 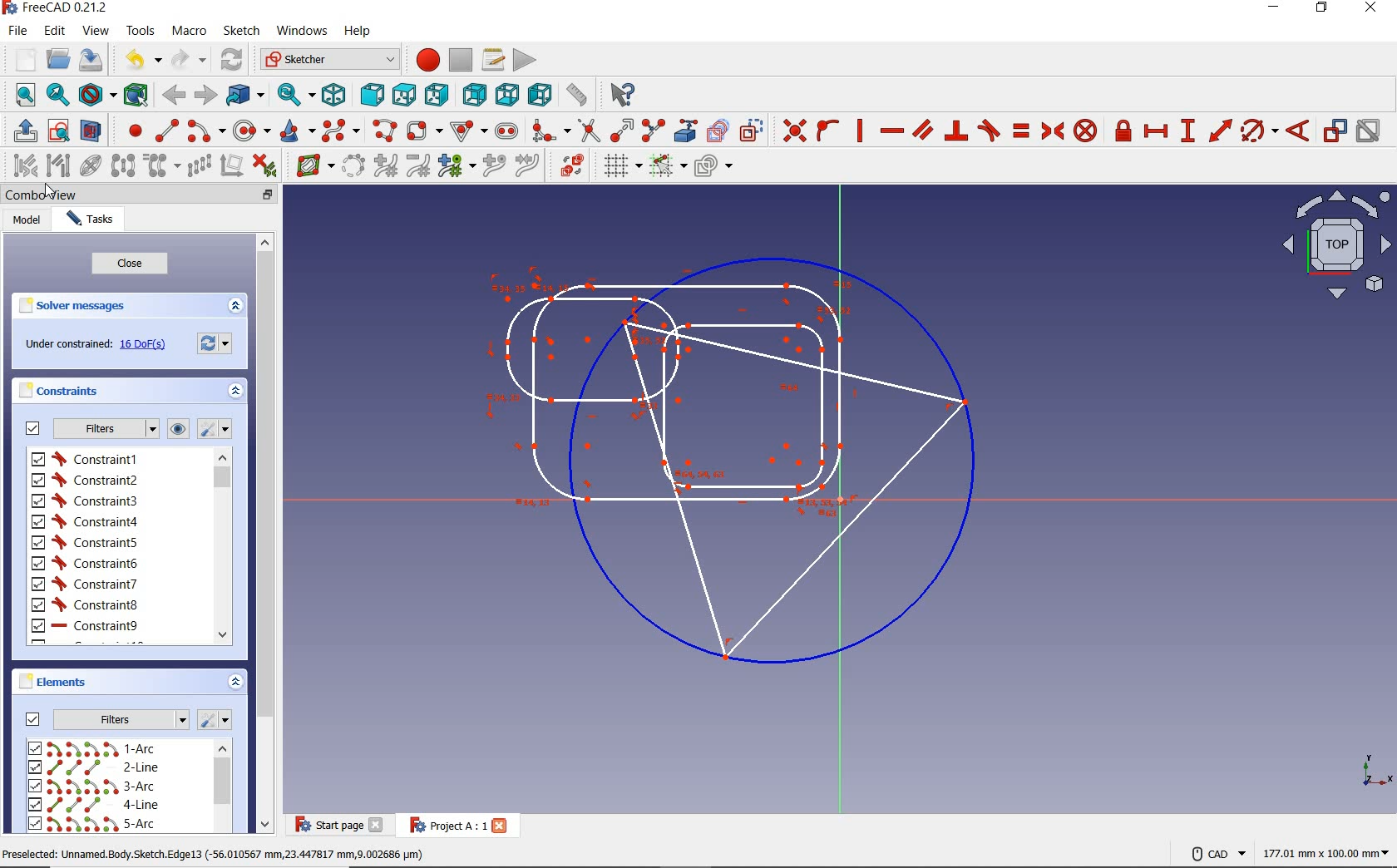 What do you see at coordinates (304, 31) in the screenshot?
I see `windows` at bounding box center [304, 31].